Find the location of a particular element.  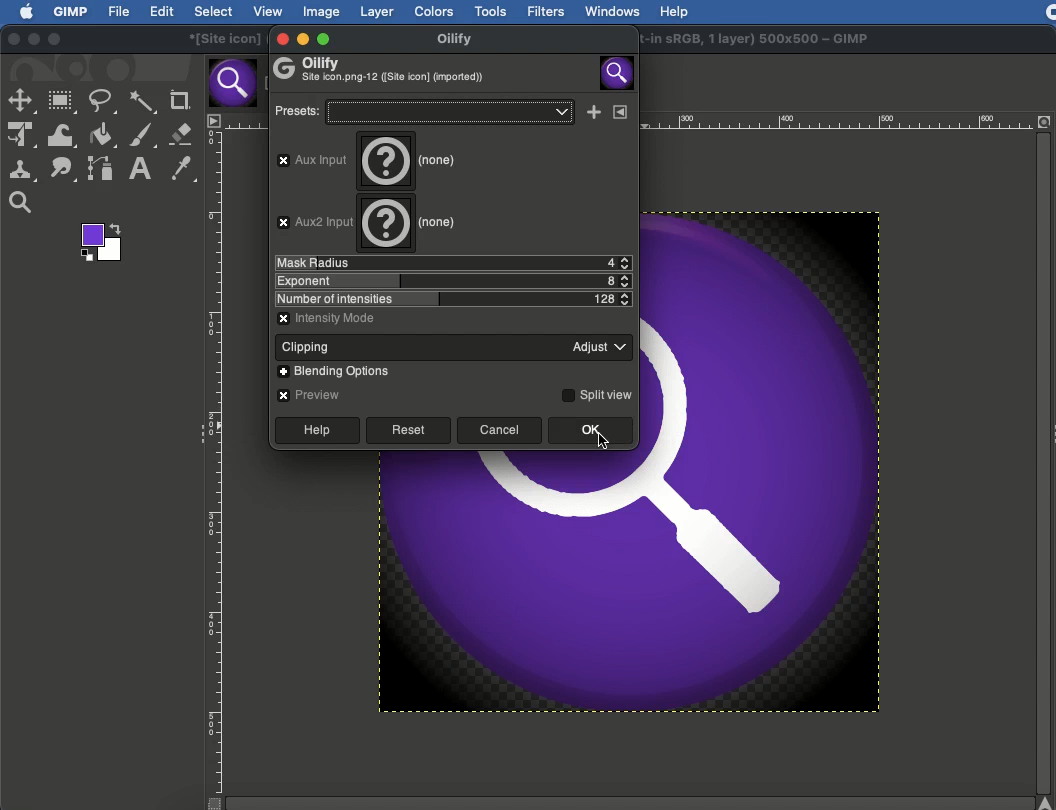

Menu is located at coordinates (621, 112).